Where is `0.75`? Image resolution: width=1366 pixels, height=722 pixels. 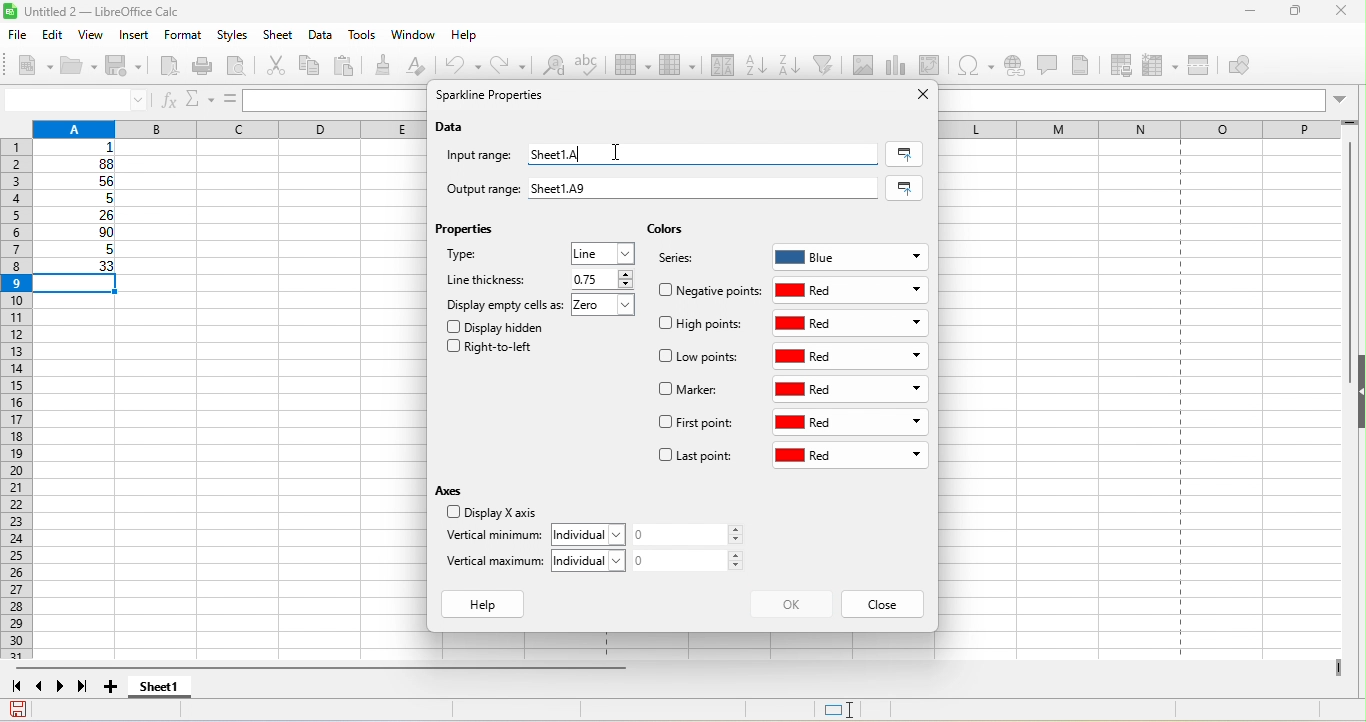
0.75 is located at coordinates (600, 279).